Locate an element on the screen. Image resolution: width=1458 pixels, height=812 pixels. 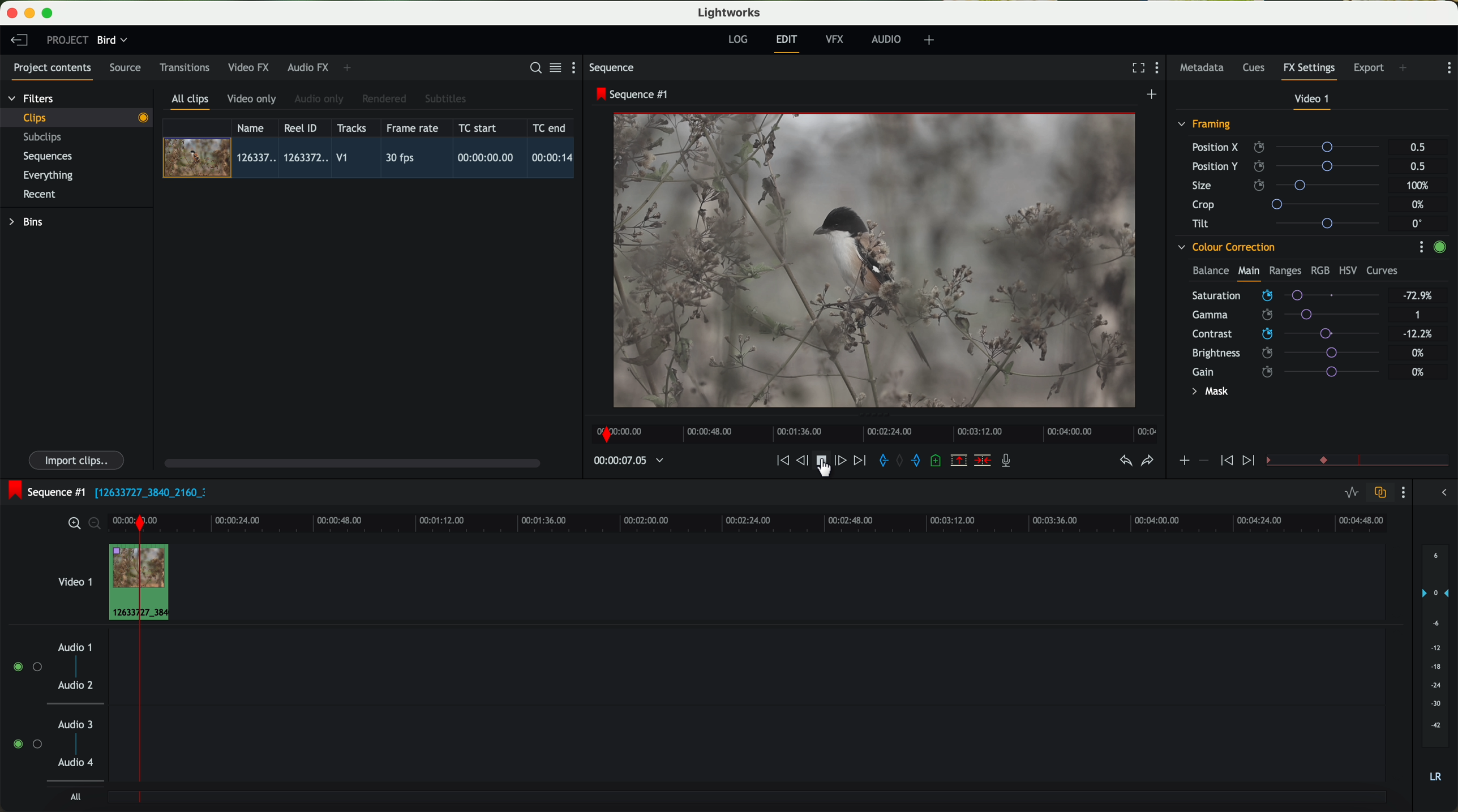
everything is located at coordinates (49, 175).